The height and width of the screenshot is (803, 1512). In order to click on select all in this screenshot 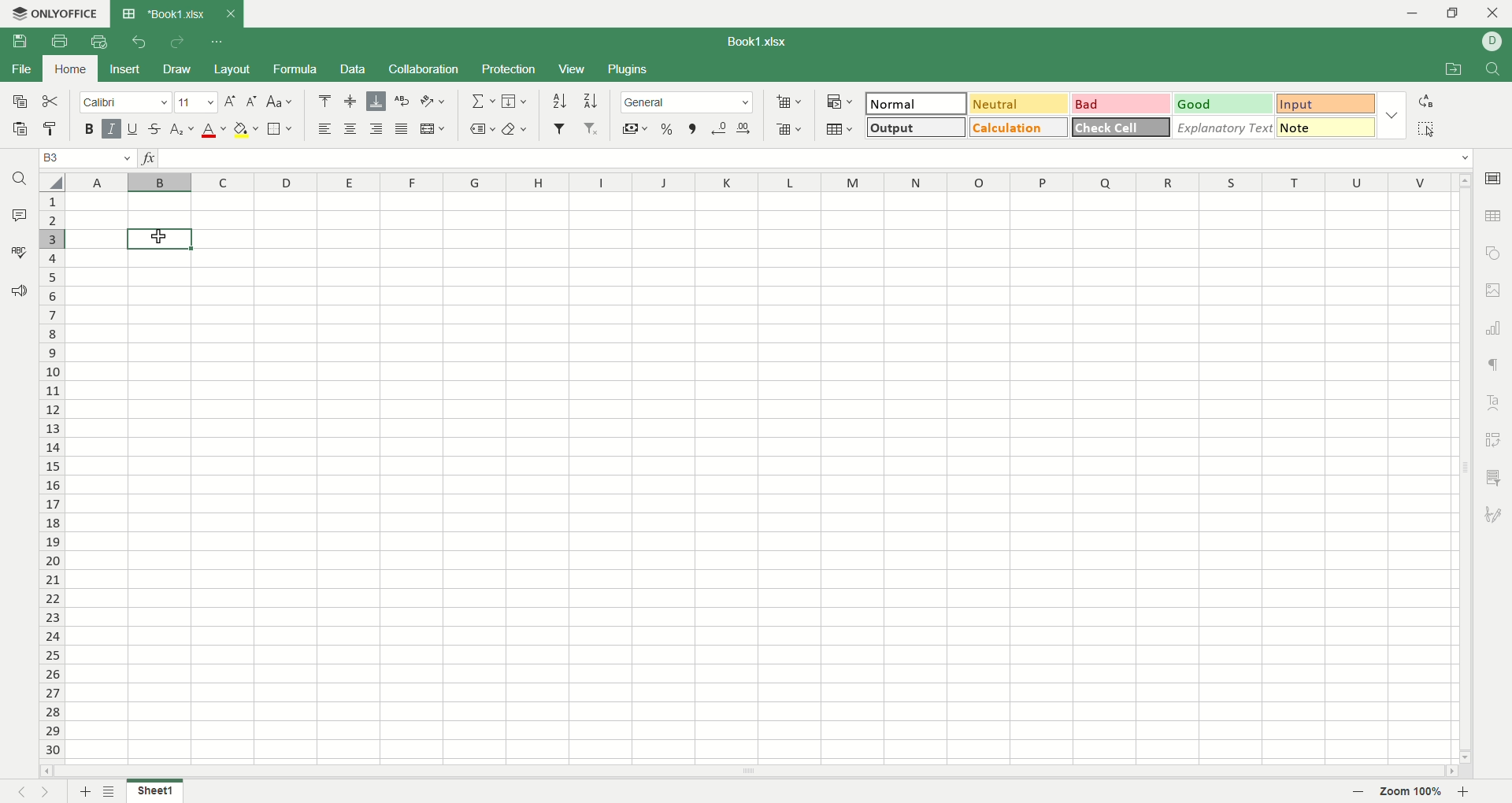, I will do `click(52, 182)`.